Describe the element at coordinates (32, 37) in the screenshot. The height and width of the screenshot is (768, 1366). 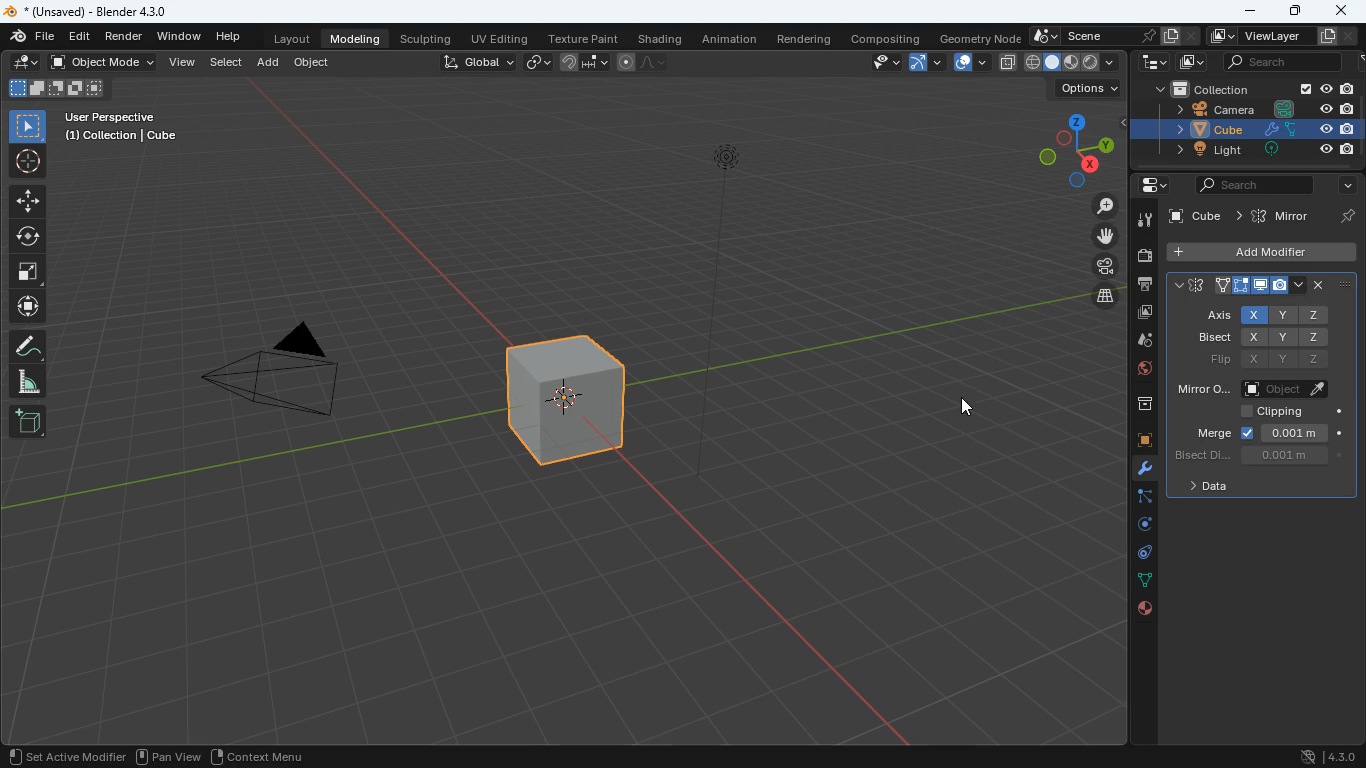
I see `file` at that location.